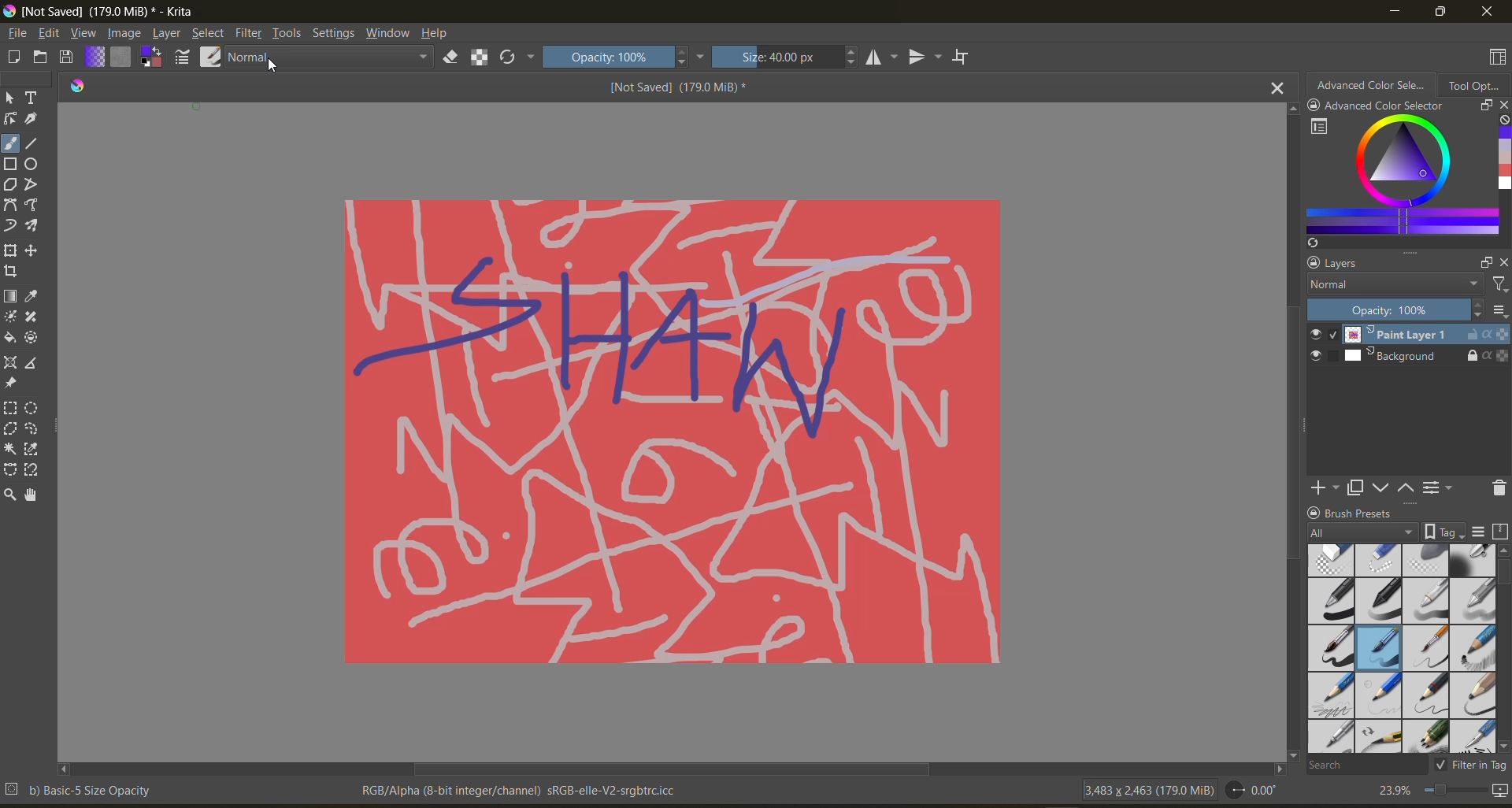  I want to click on lock docker, so click(1313, 511).